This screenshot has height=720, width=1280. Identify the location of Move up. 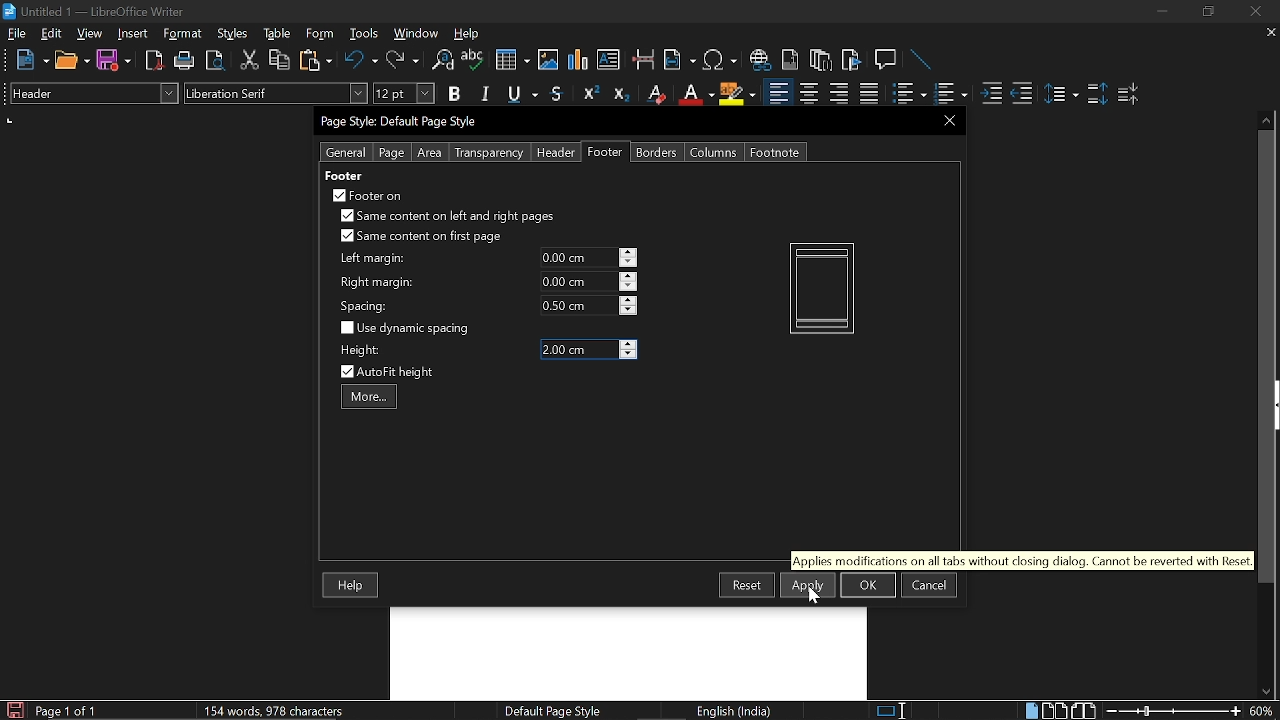
(1267, 118).